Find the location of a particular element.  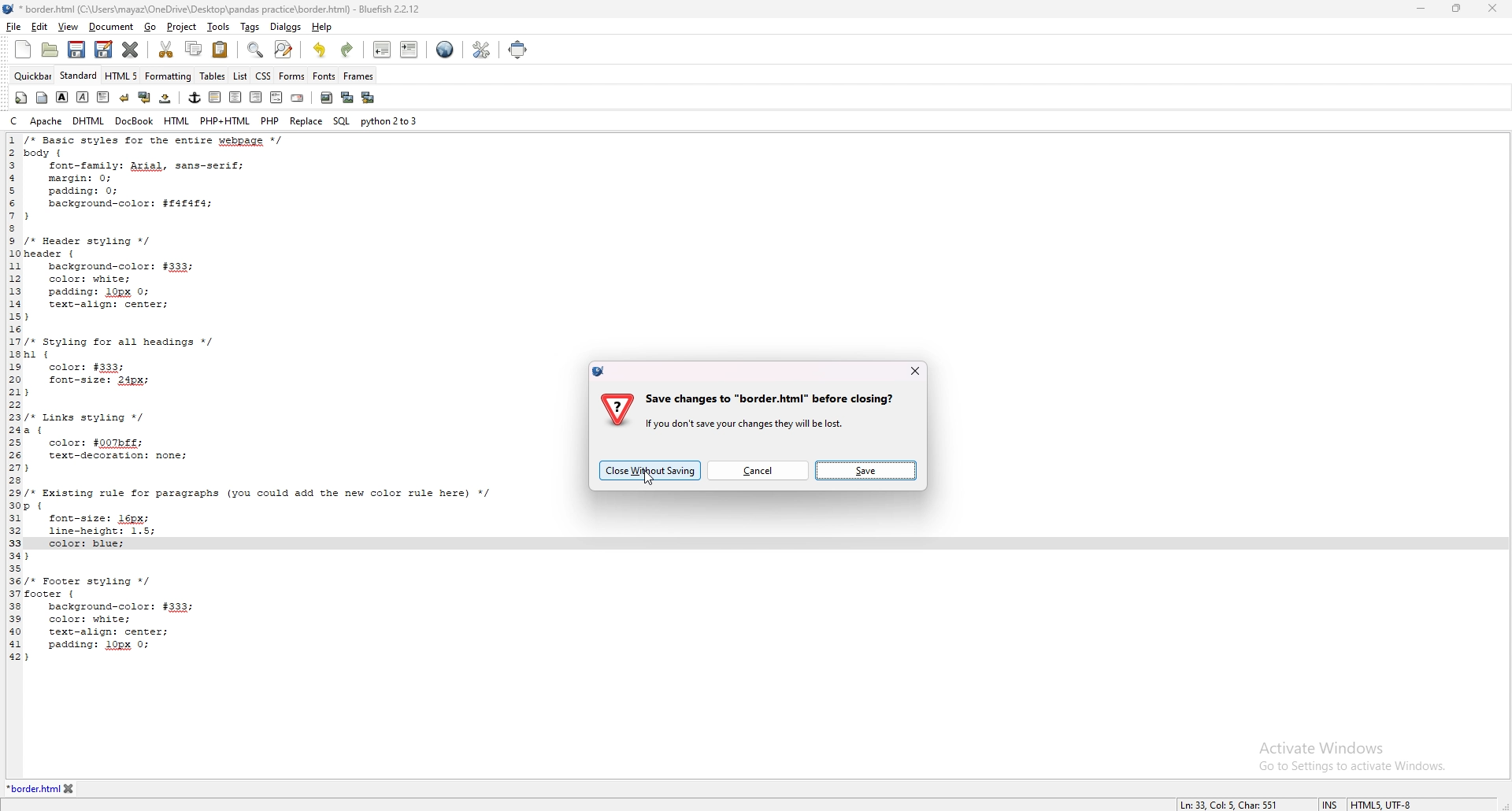

close is located at coordinates (914, 371).